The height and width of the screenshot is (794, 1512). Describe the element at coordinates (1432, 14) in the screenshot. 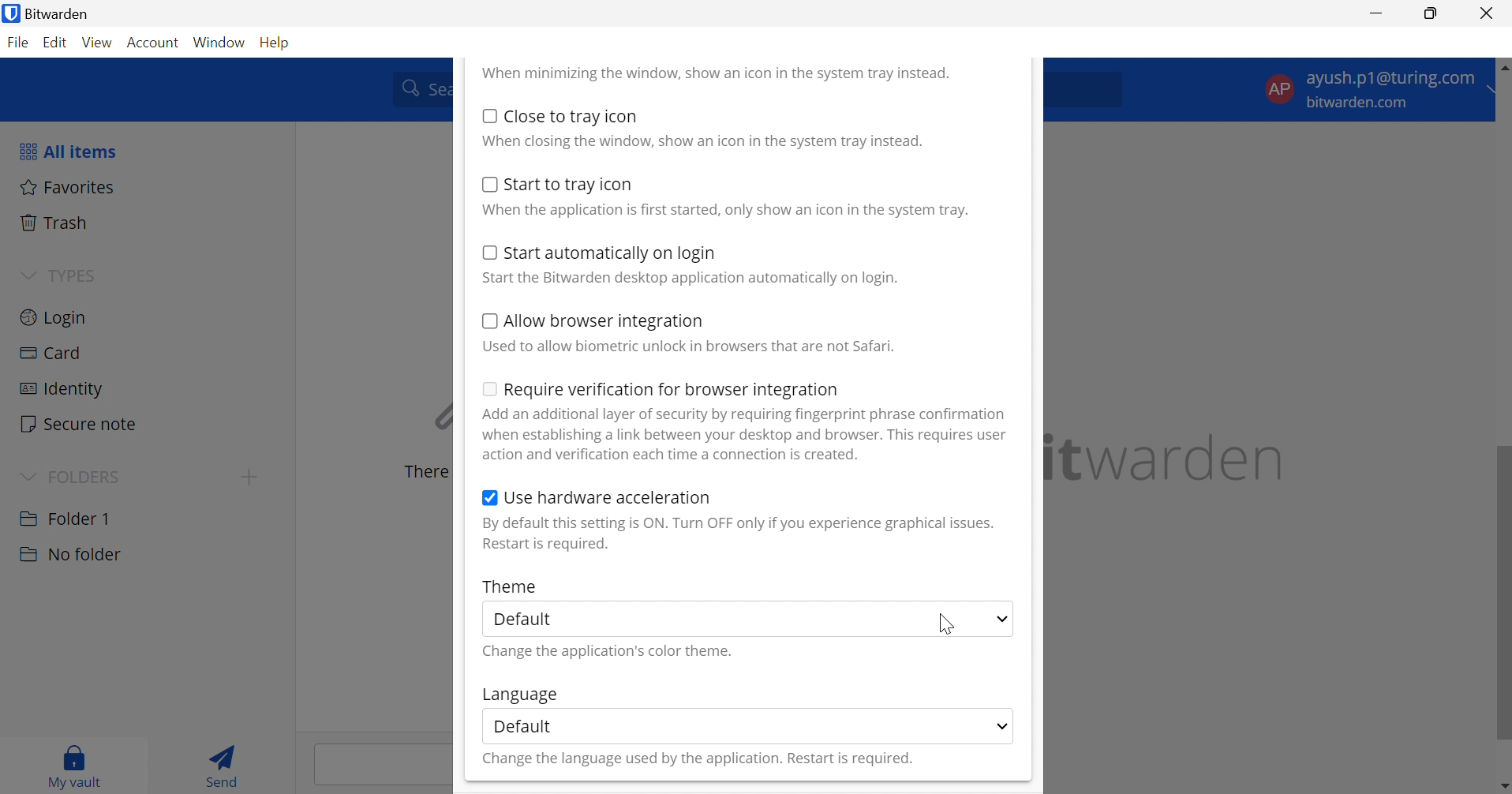

I see `Restore` at that location.